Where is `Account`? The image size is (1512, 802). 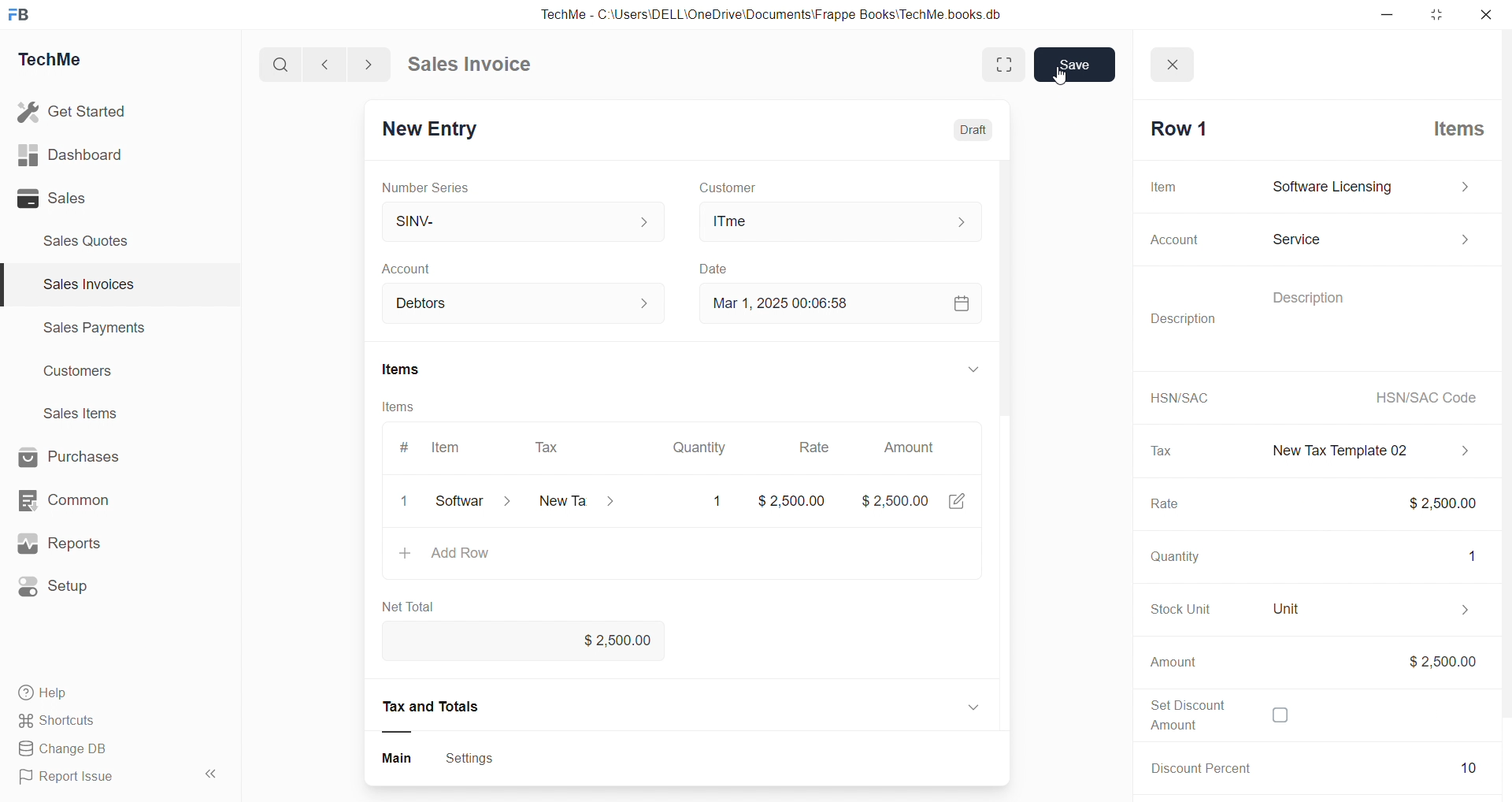 Account is located at coordinates (1168, 240).